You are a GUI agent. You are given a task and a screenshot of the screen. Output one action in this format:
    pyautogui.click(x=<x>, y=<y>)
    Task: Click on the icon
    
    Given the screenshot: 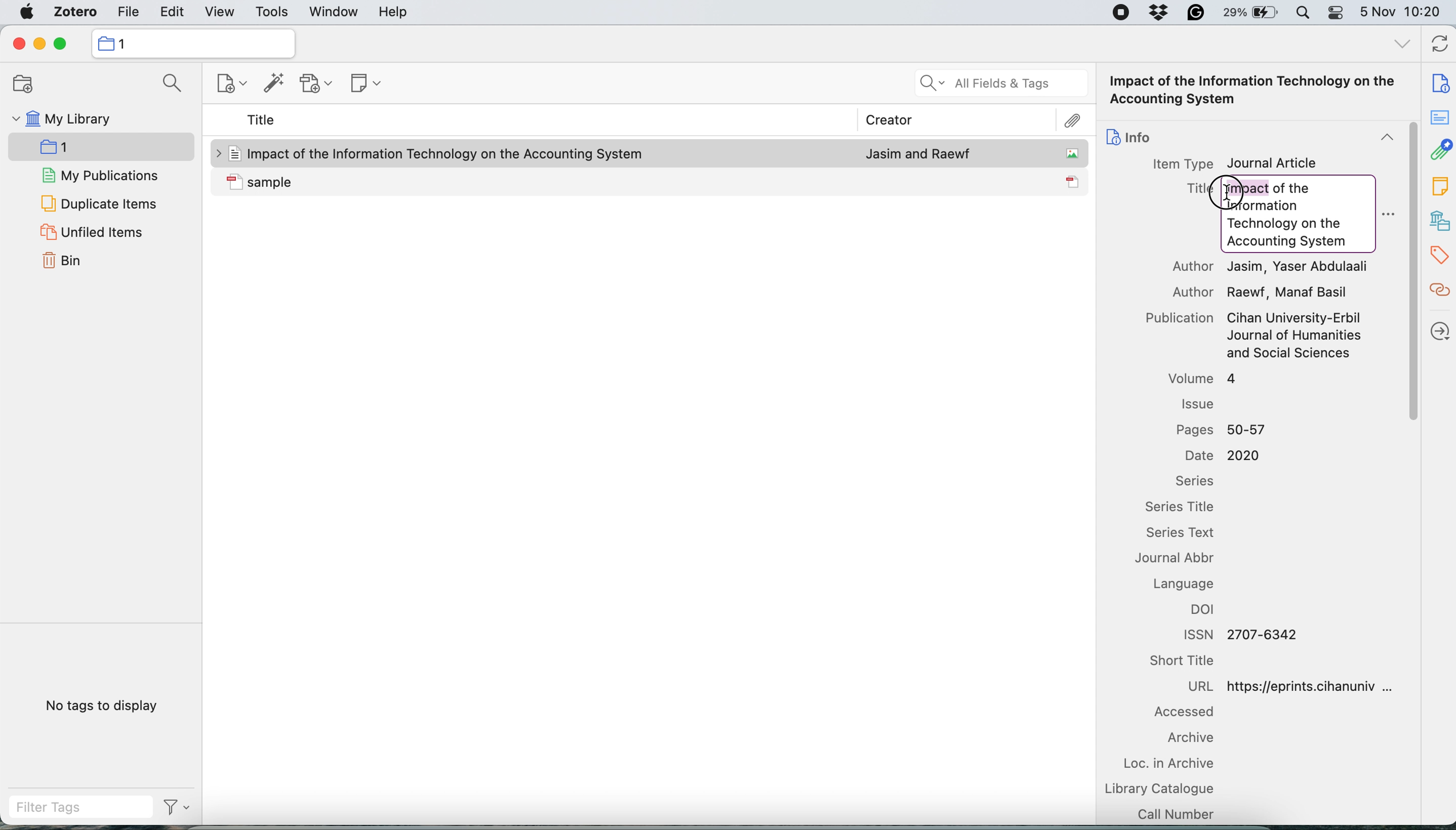 What is the action you would take?
    pyautogui.click(x=105, y=43)
    